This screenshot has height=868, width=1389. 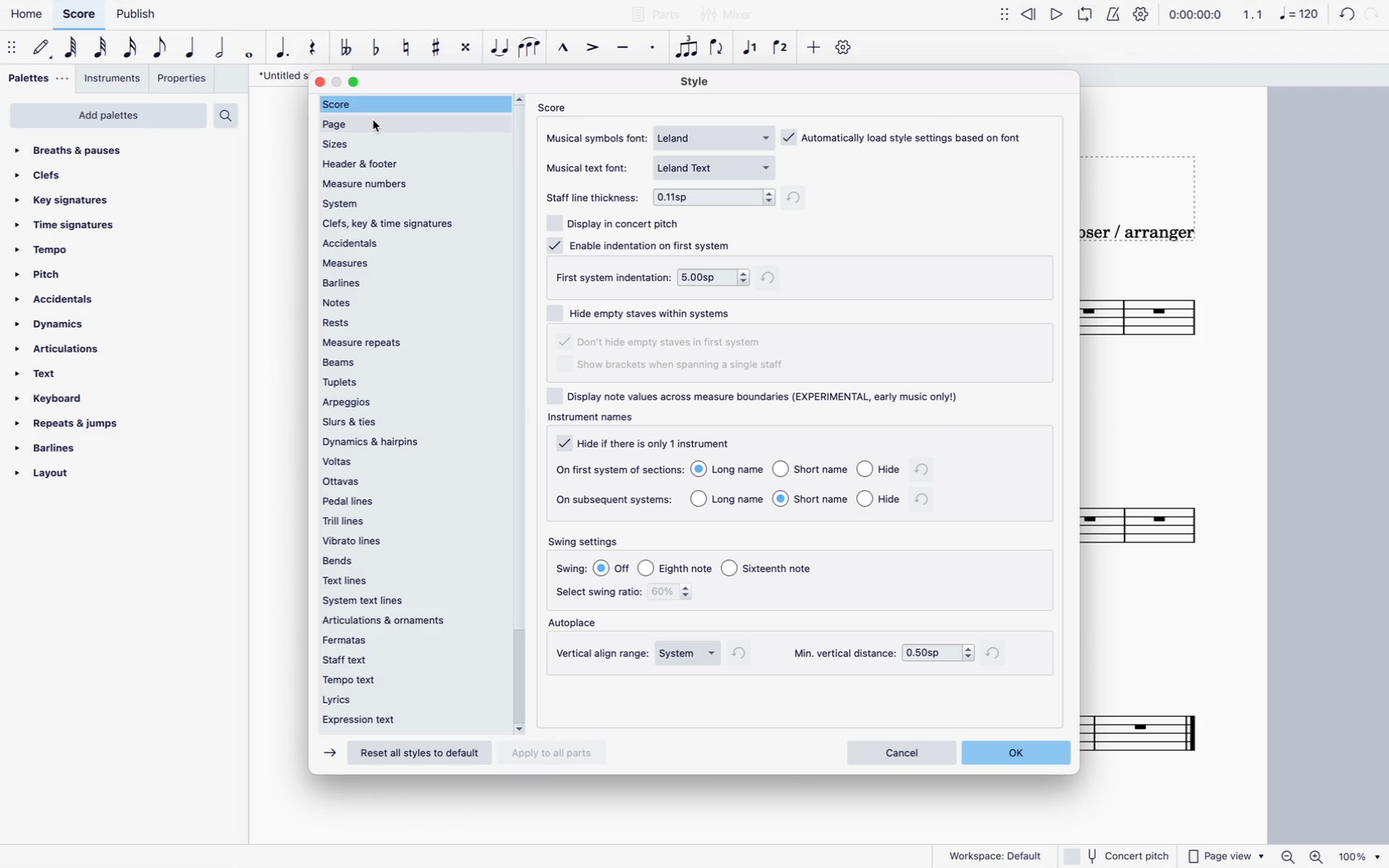 What do you see at coordinates (661, 342) in the screenshot?
I see `hide` at bounding box center [661, 342].